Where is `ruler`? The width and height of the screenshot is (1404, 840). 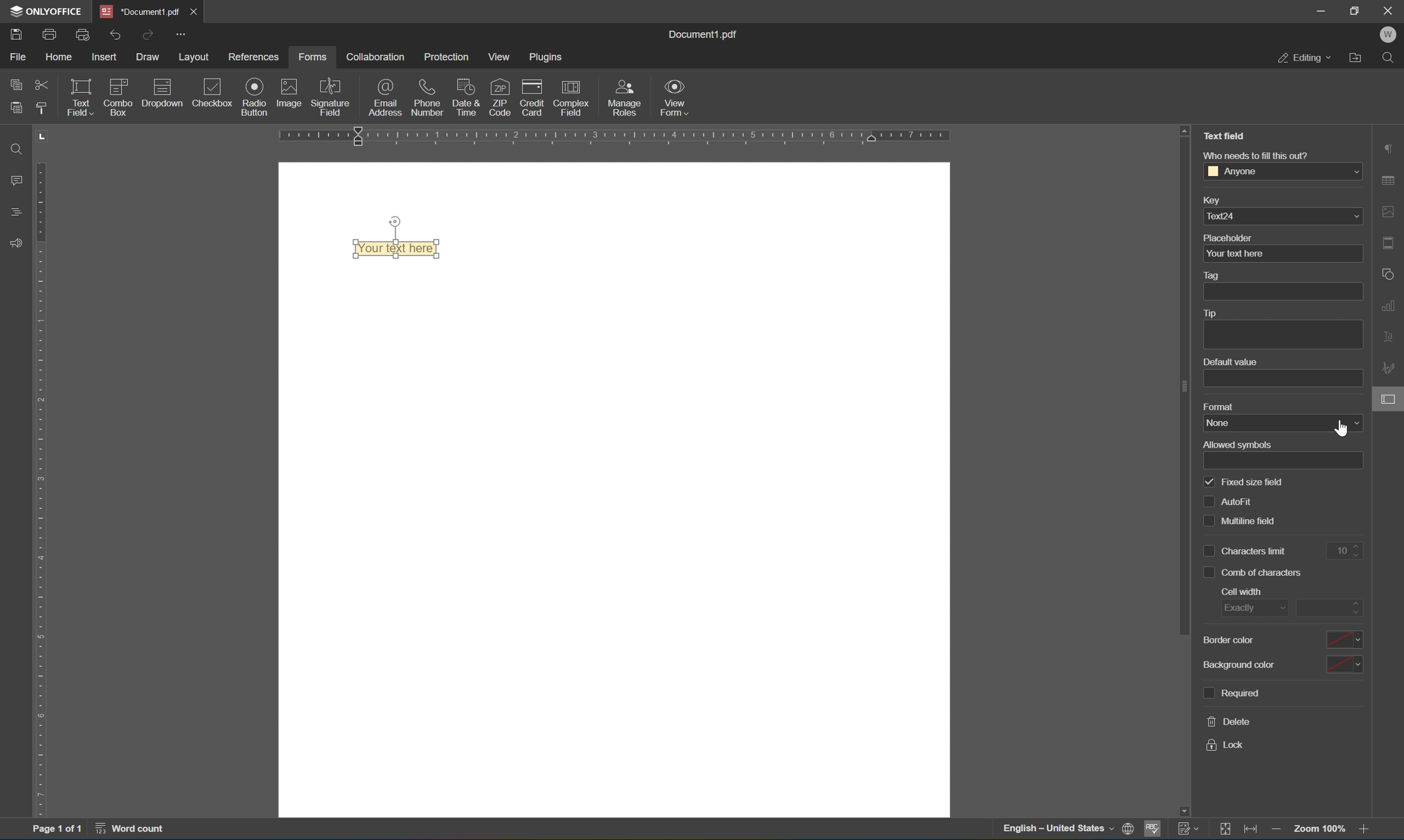 ruler is located at coordinates (657, 136).